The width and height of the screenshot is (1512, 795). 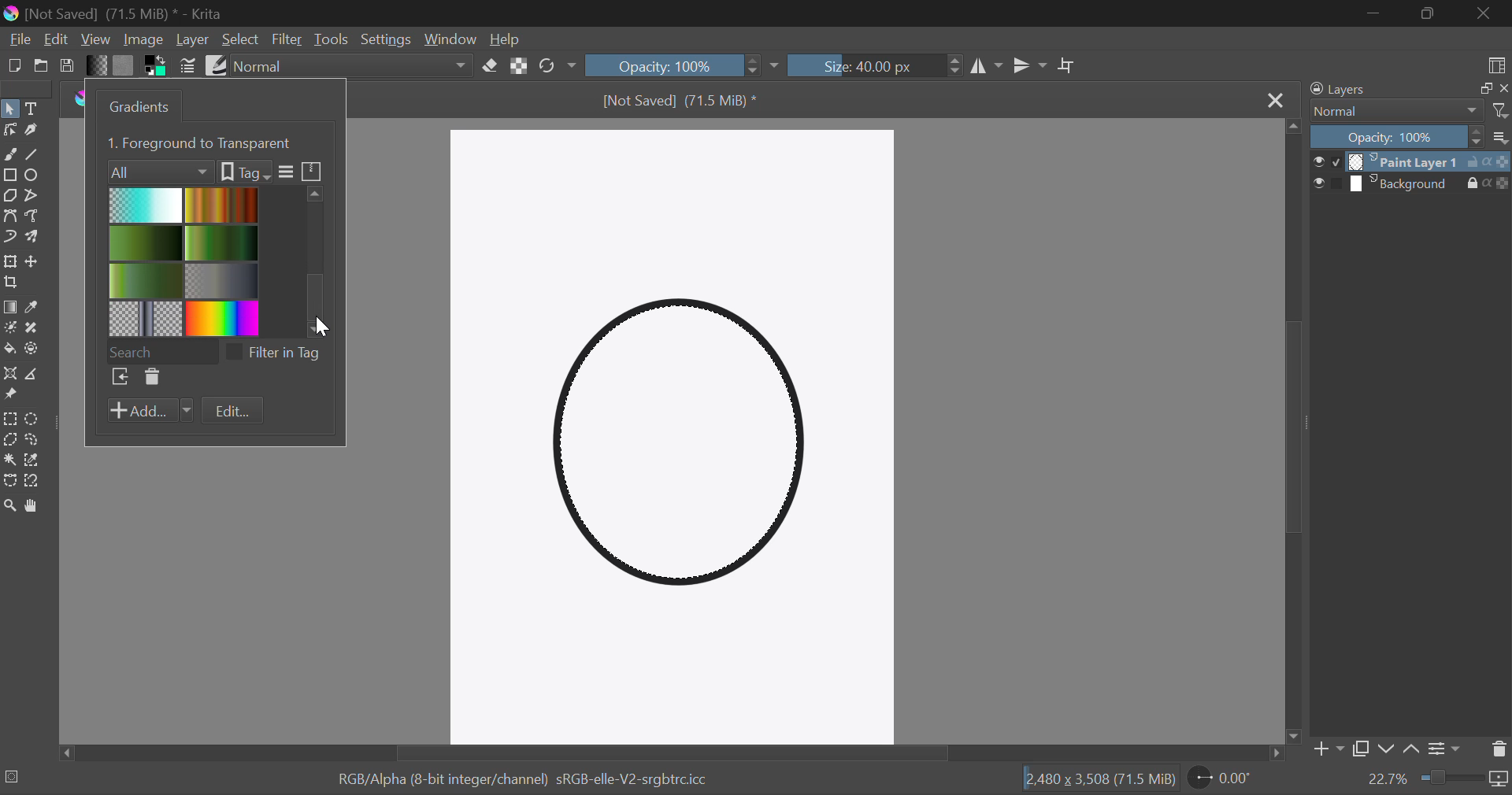 I want to click on Vertical Mirror Flip, so click(x=988, y=66).